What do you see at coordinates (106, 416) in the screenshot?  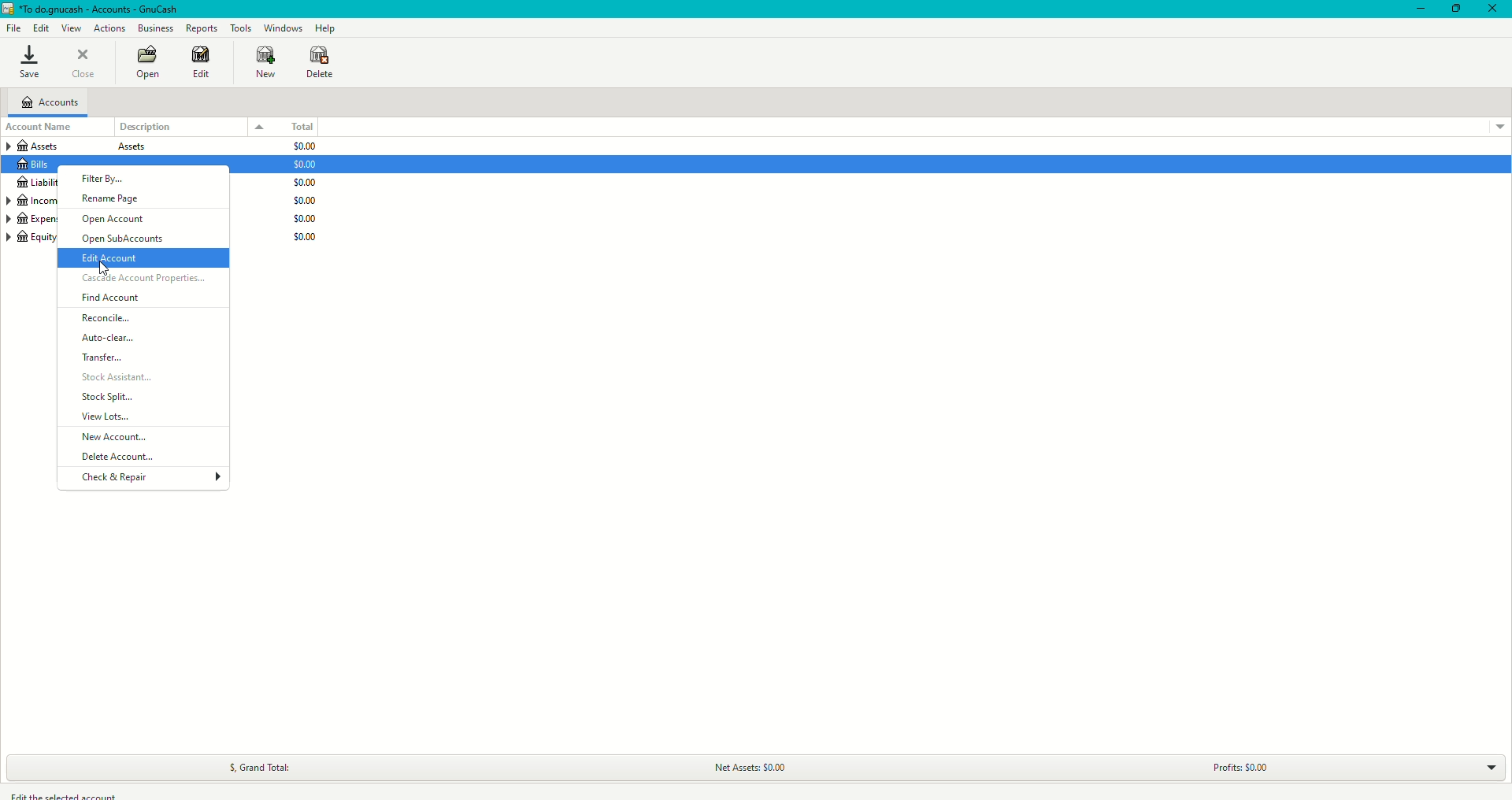 I see `View Lots` at bounding box center [106, 416].